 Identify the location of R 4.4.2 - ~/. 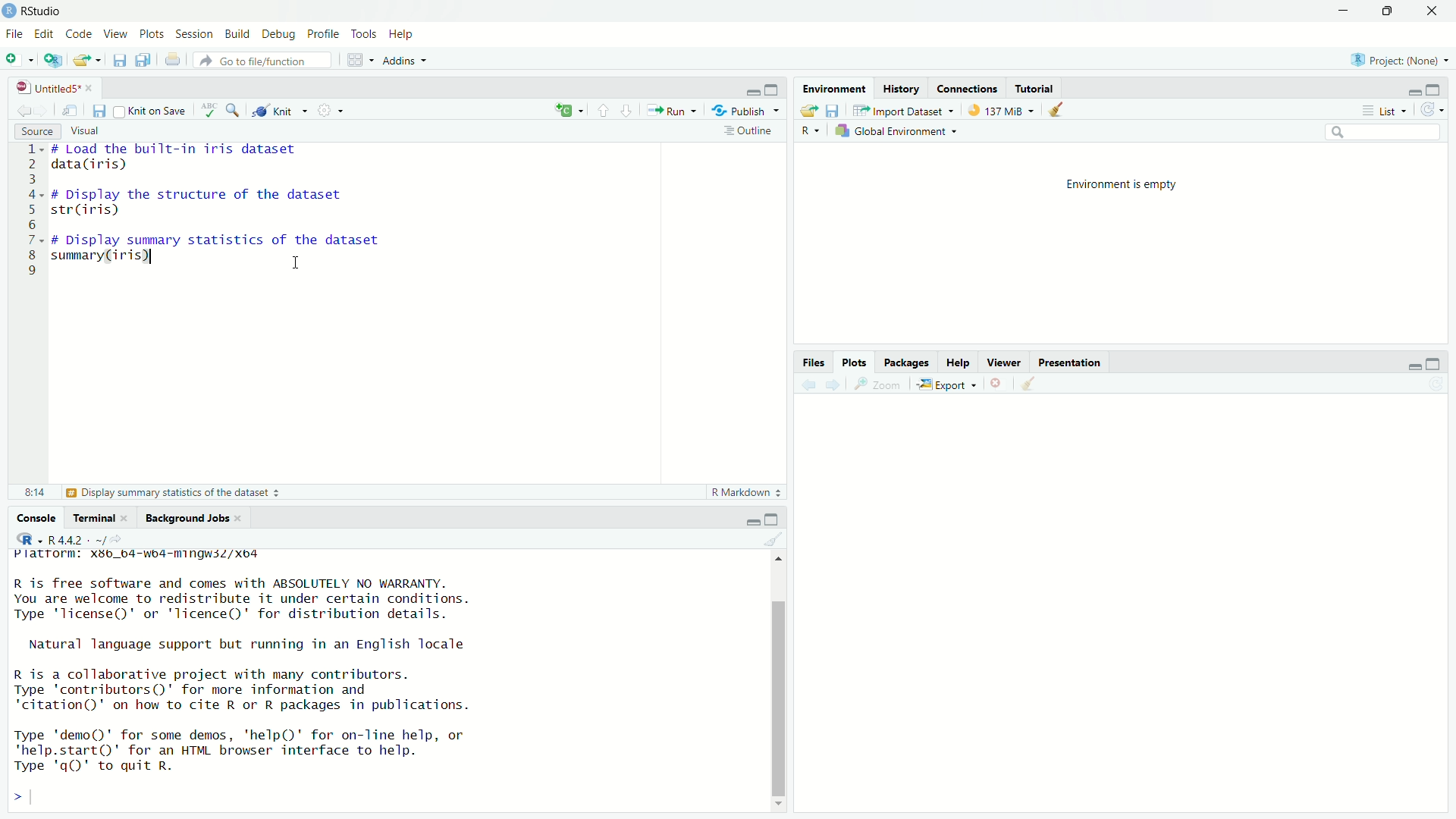
(71, 538).